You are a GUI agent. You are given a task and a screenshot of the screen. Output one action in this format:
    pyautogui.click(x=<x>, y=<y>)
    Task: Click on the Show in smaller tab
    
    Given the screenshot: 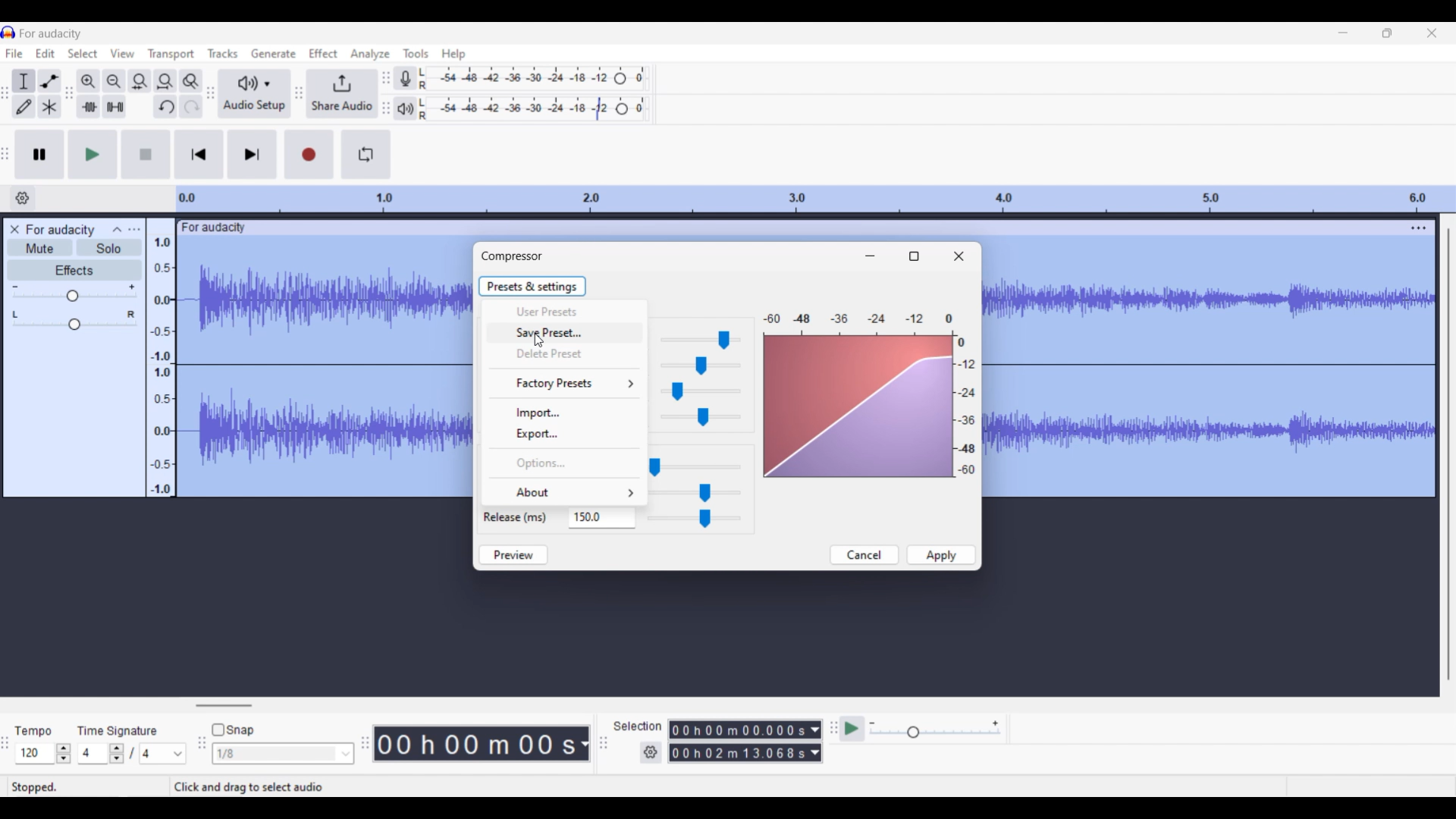 What is the action you would take?
    pyautogui.click(x=1388, y=33)
    